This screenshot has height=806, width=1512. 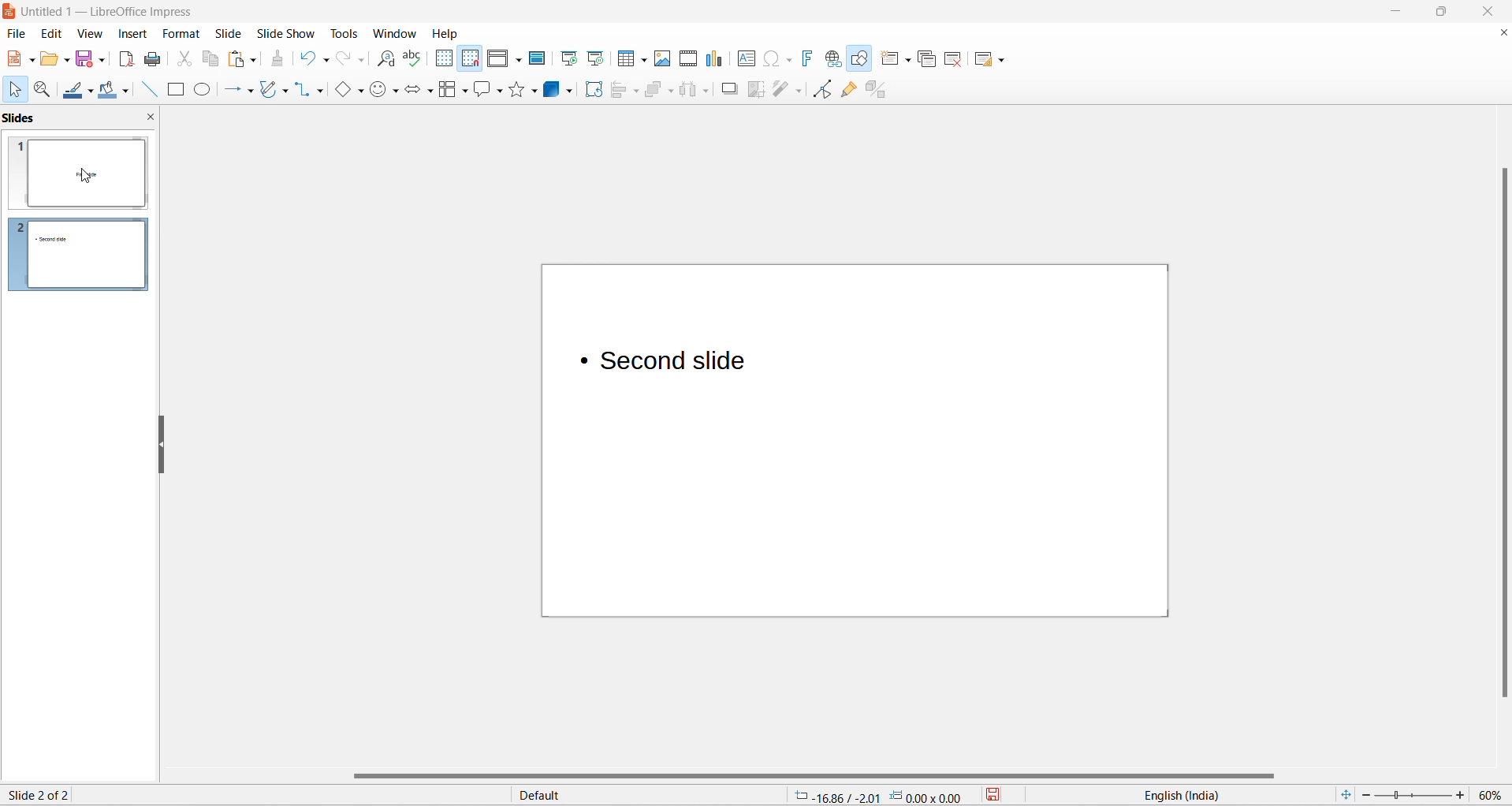 I want to click on insert, so click(x=135, y=33).